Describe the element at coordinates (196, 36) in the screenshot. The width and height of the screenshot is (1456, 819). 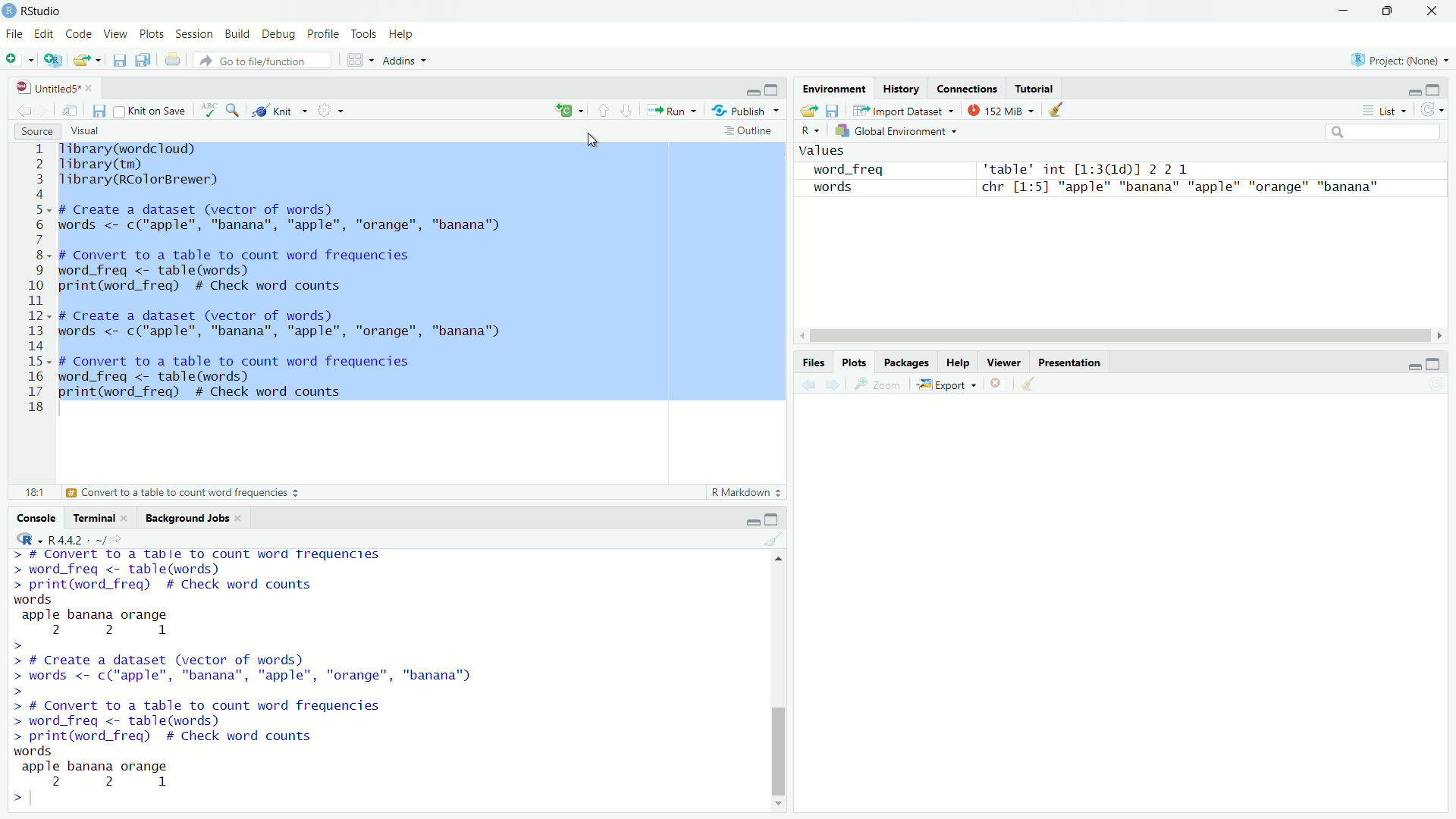
I see `Session` at that location.